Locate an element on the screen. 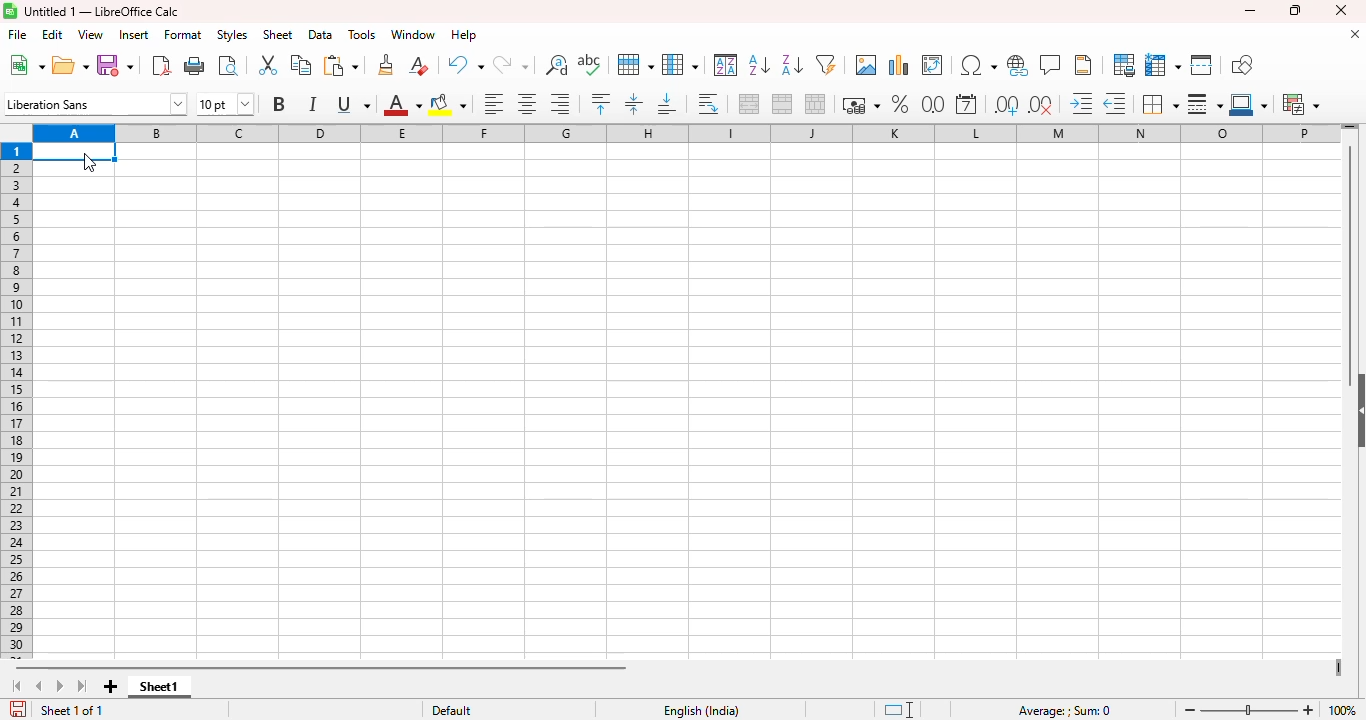 The image size is (1366, 720). print is located at coordinates (196, 65).